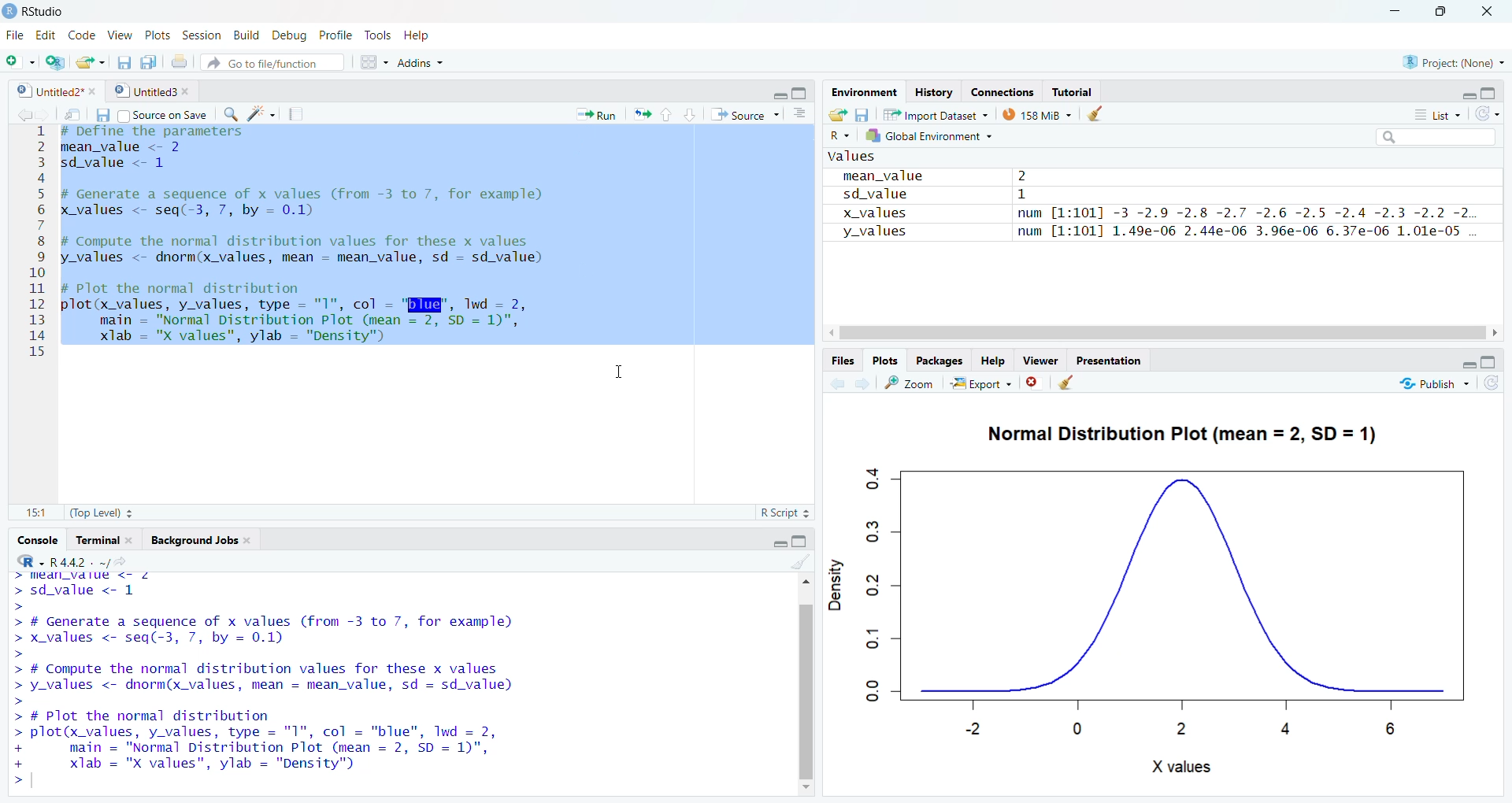  What do you see at coordinates (1443, 12) in the screenshot?
I see `maximize` at bounding box center [1443, 12].